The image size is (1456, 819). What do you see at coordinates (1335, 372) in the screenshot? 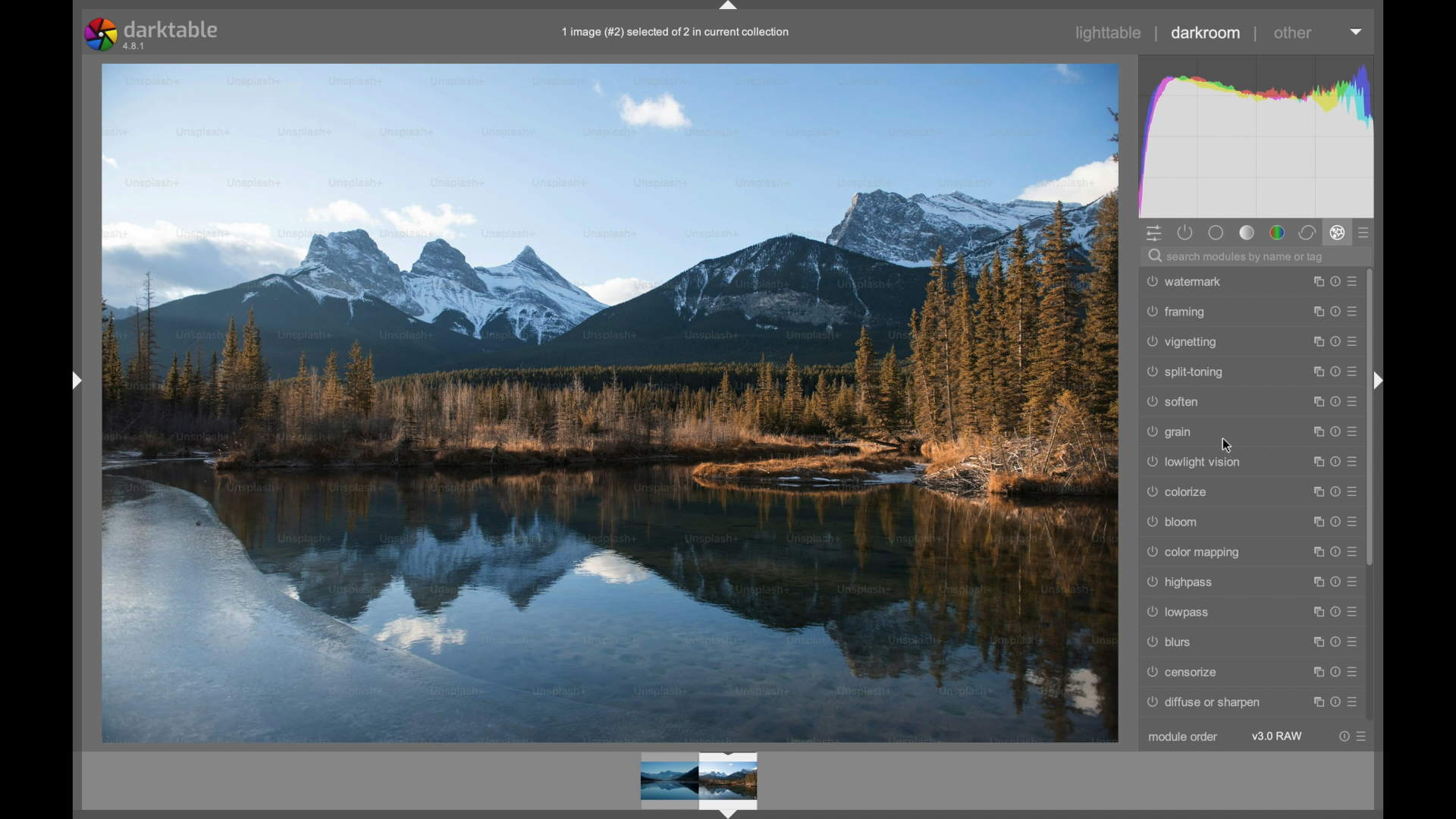
I see `reset parameters` at bounding box center [1335, 372].